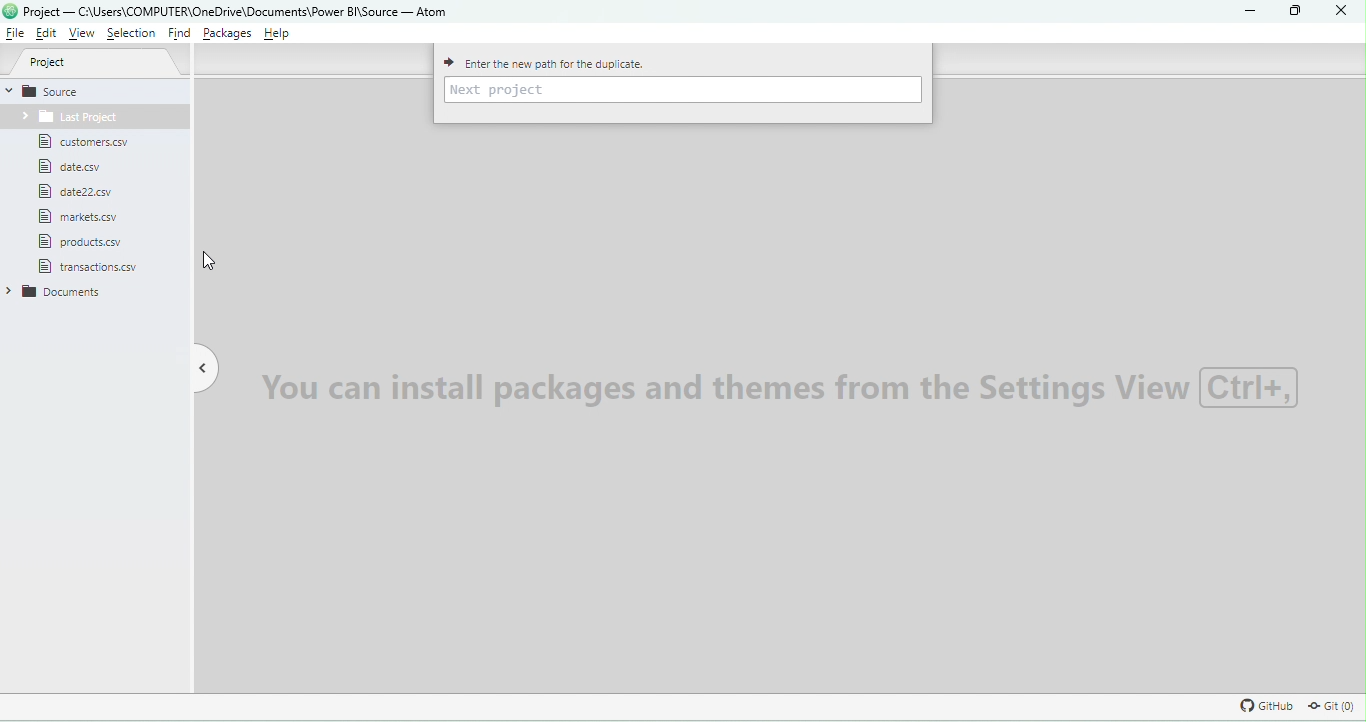 This screenshot has width=1366, height=722. I want to click on logo, so click(11, 13).